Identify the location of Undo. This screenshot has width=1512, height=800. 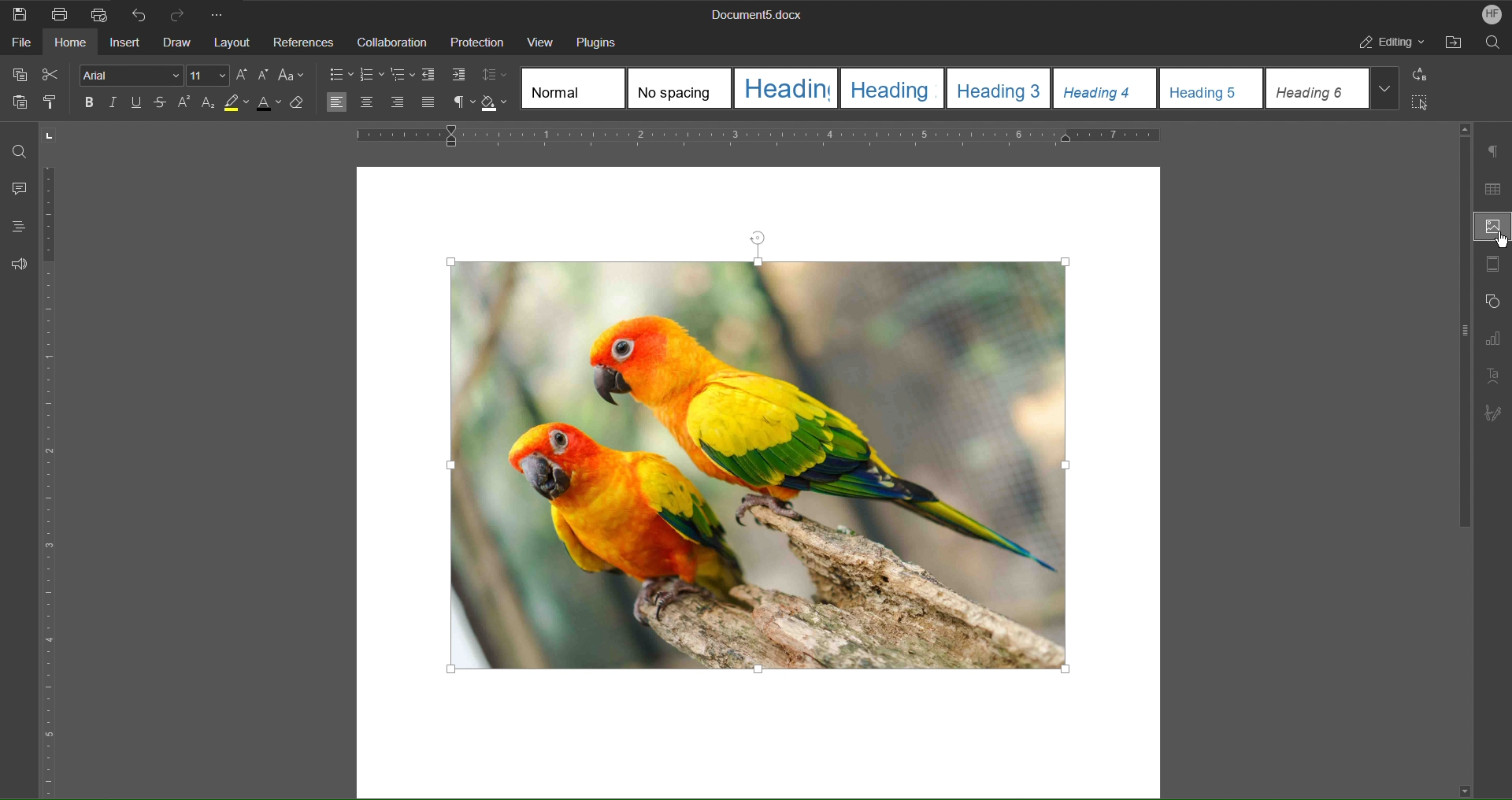
(139, 13).